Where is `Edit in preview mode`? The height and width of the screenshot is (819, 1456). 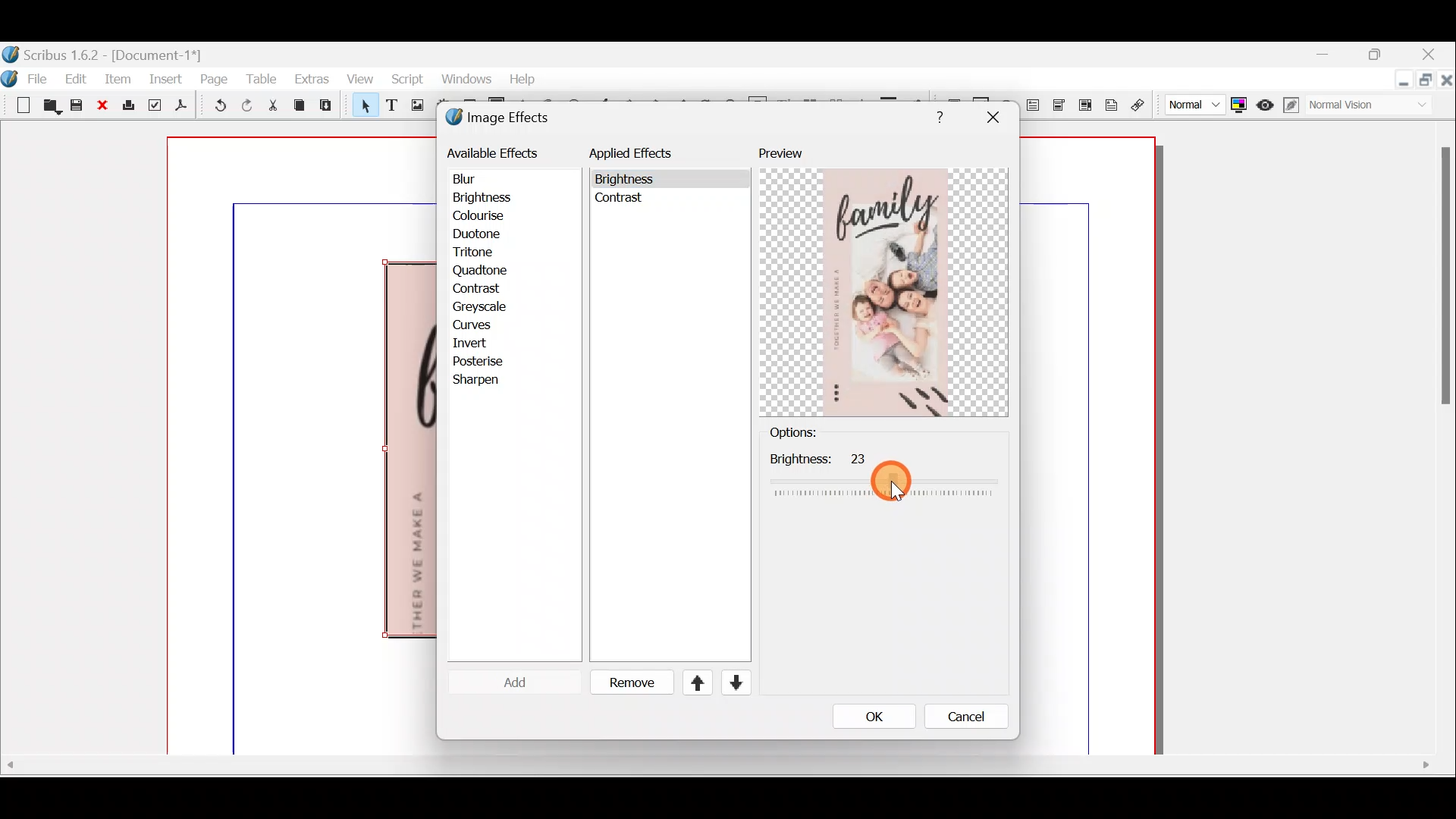 Edit in preview mode is located at coordinates (1293, 105).